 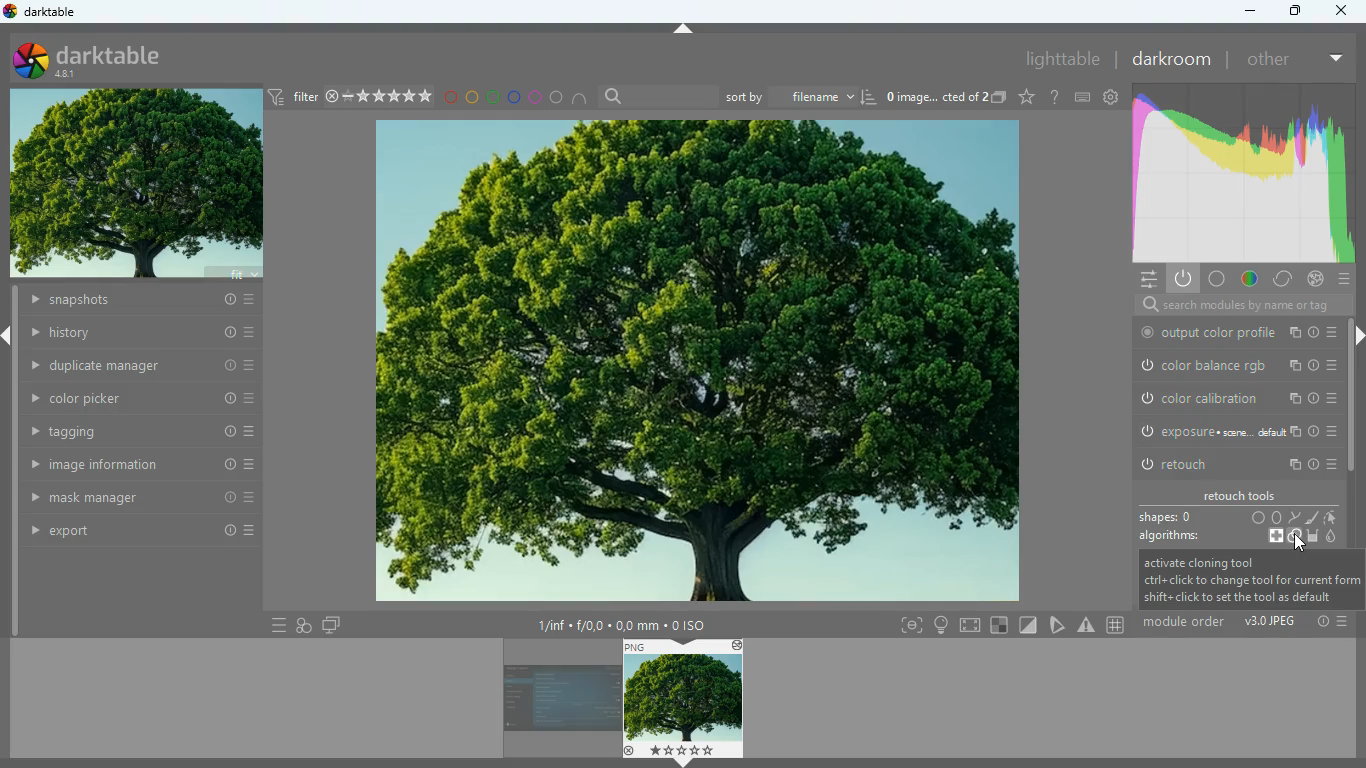 What do you see at coordinates (1342, 620) in the screenshot?
I see `menu` at bounding box center [1342, 620].